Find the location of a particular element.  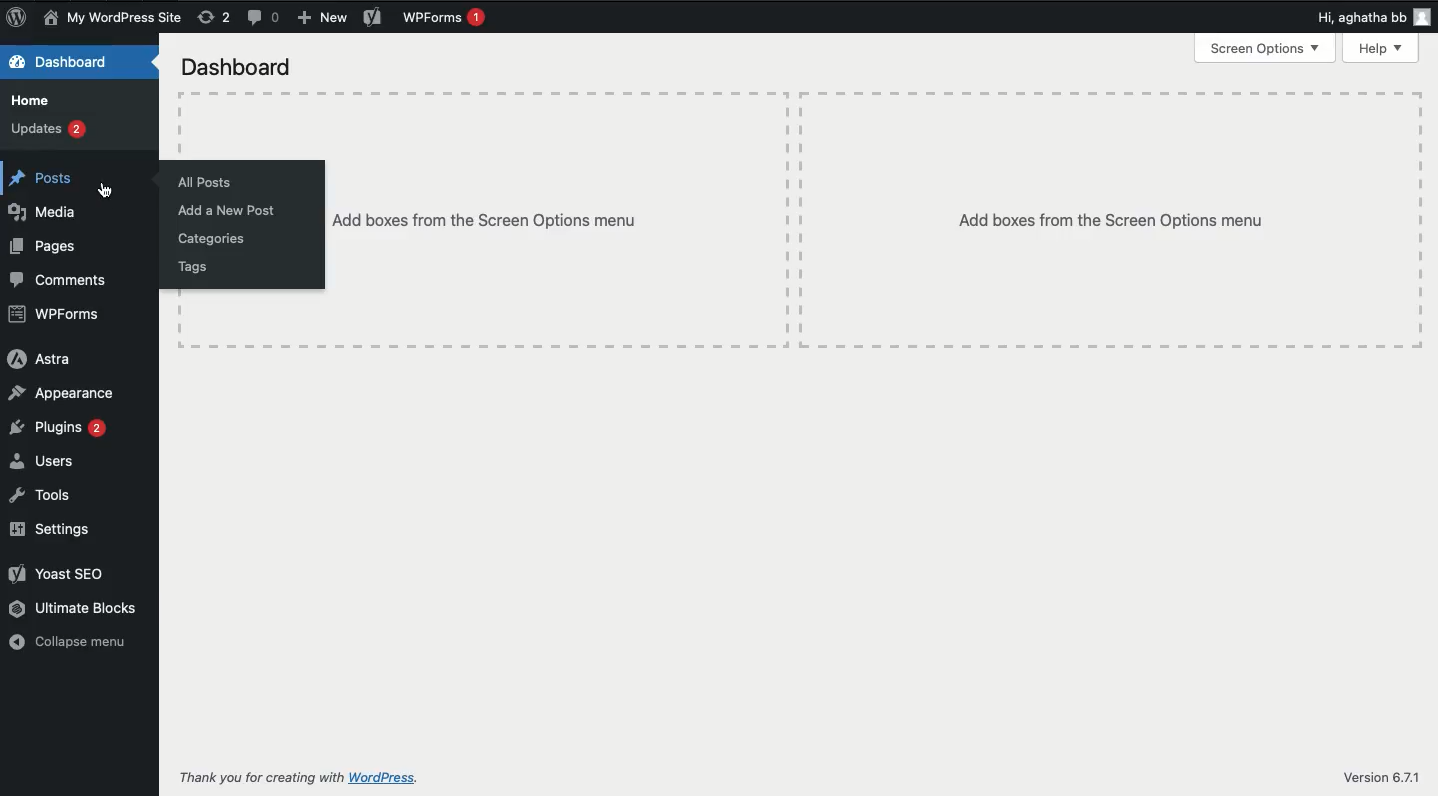

Revisions is located at coordinates (215, 17).